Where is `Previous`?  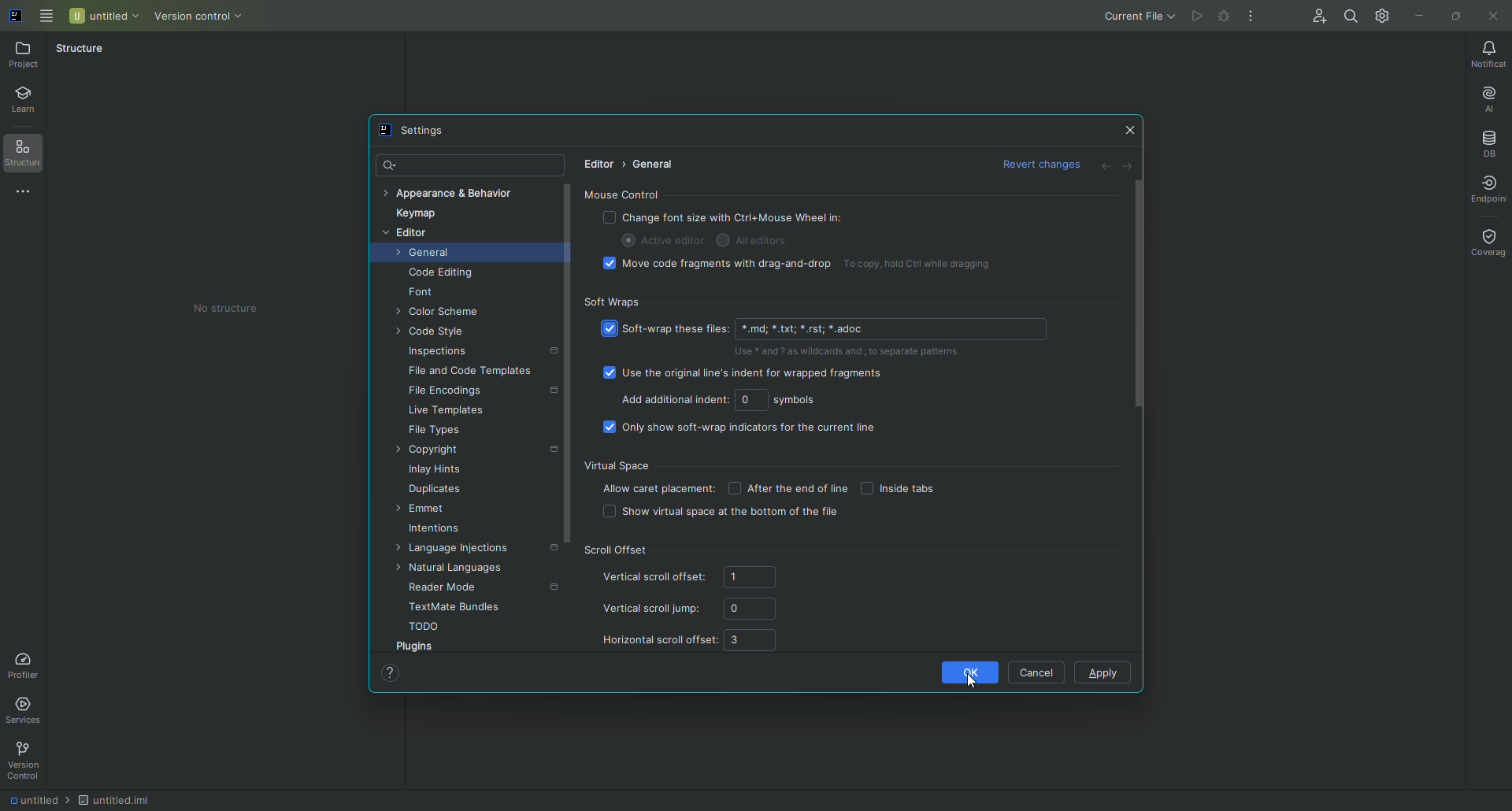 Previous is located at coordinates (1104, 168).